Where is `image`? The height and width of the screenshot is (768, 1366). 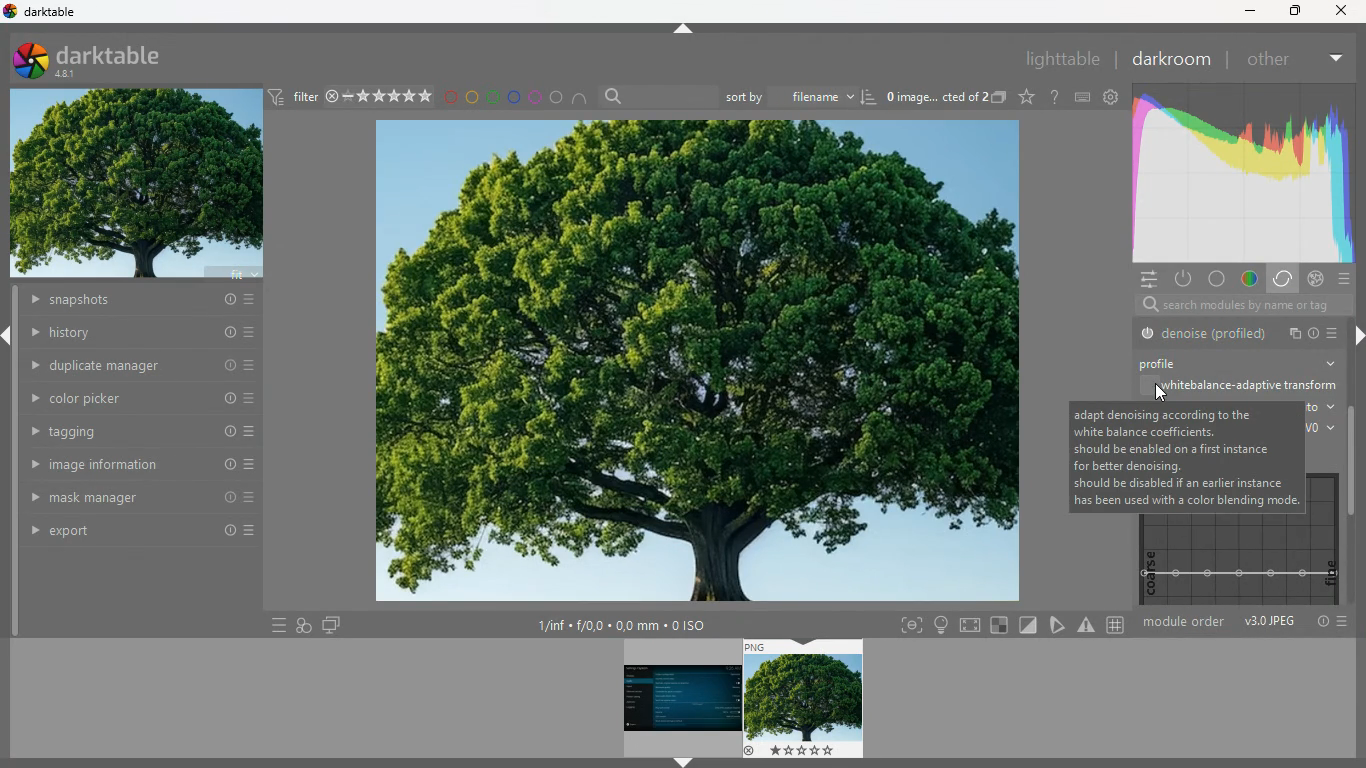
image is located at coordinates (804, 699).